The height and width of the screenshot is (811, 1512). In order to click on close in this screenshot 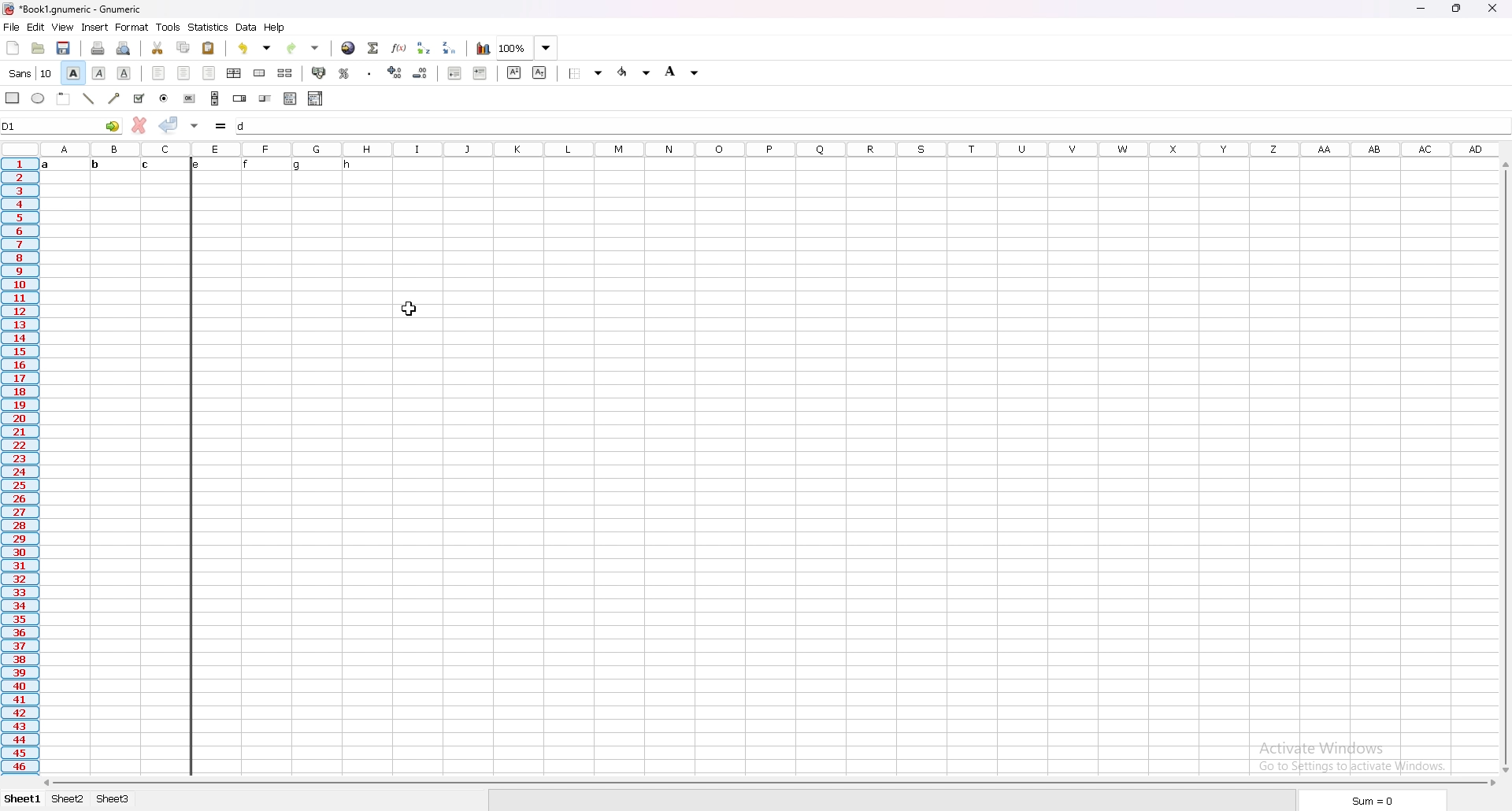, I will do `click(1492, 8)`.